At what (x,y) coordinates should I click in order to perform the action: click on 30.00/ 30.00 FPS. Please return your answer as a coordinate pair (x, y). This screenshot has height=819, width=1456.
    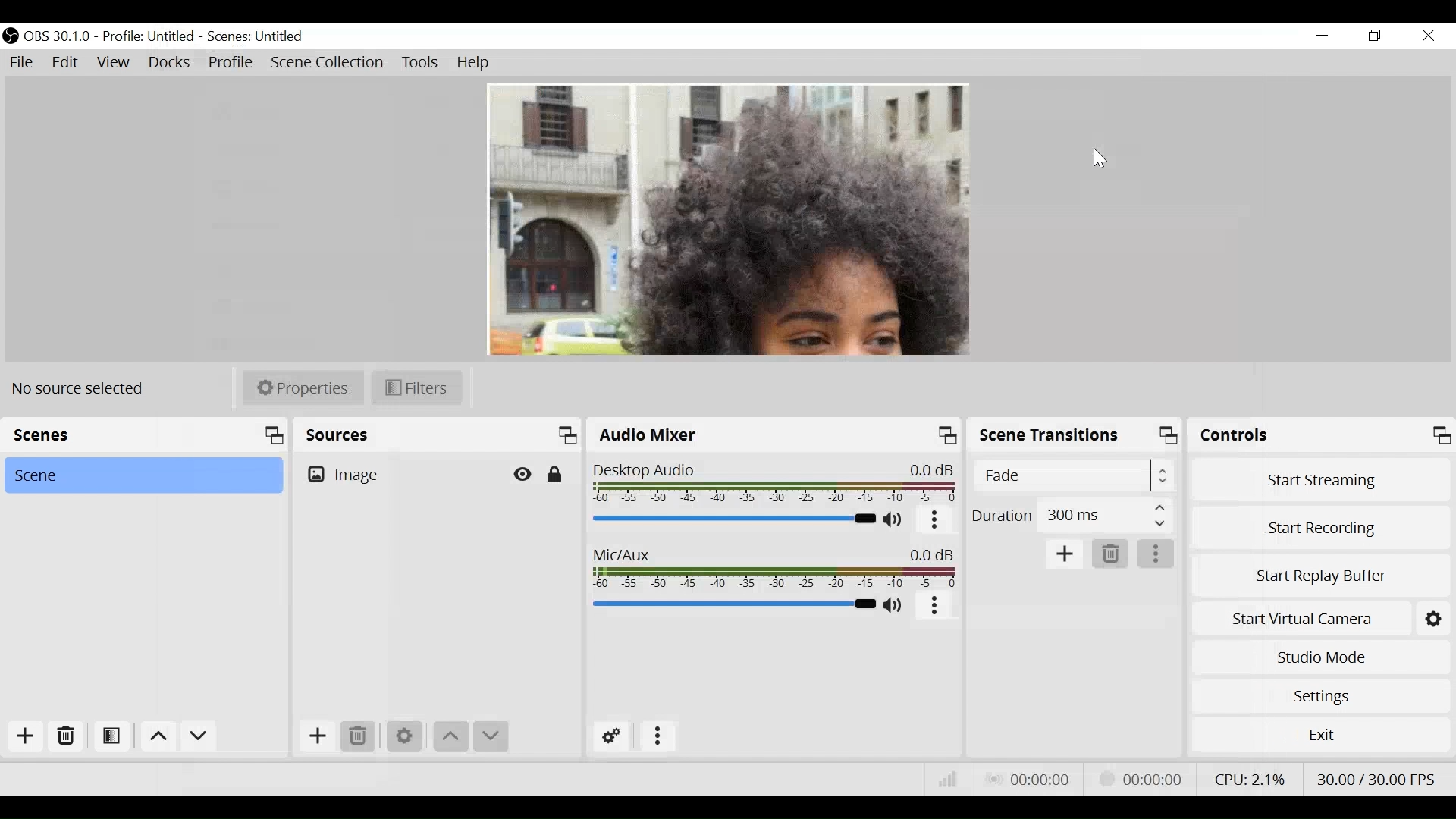
    Looking at the image, I should click on (1377, 777).